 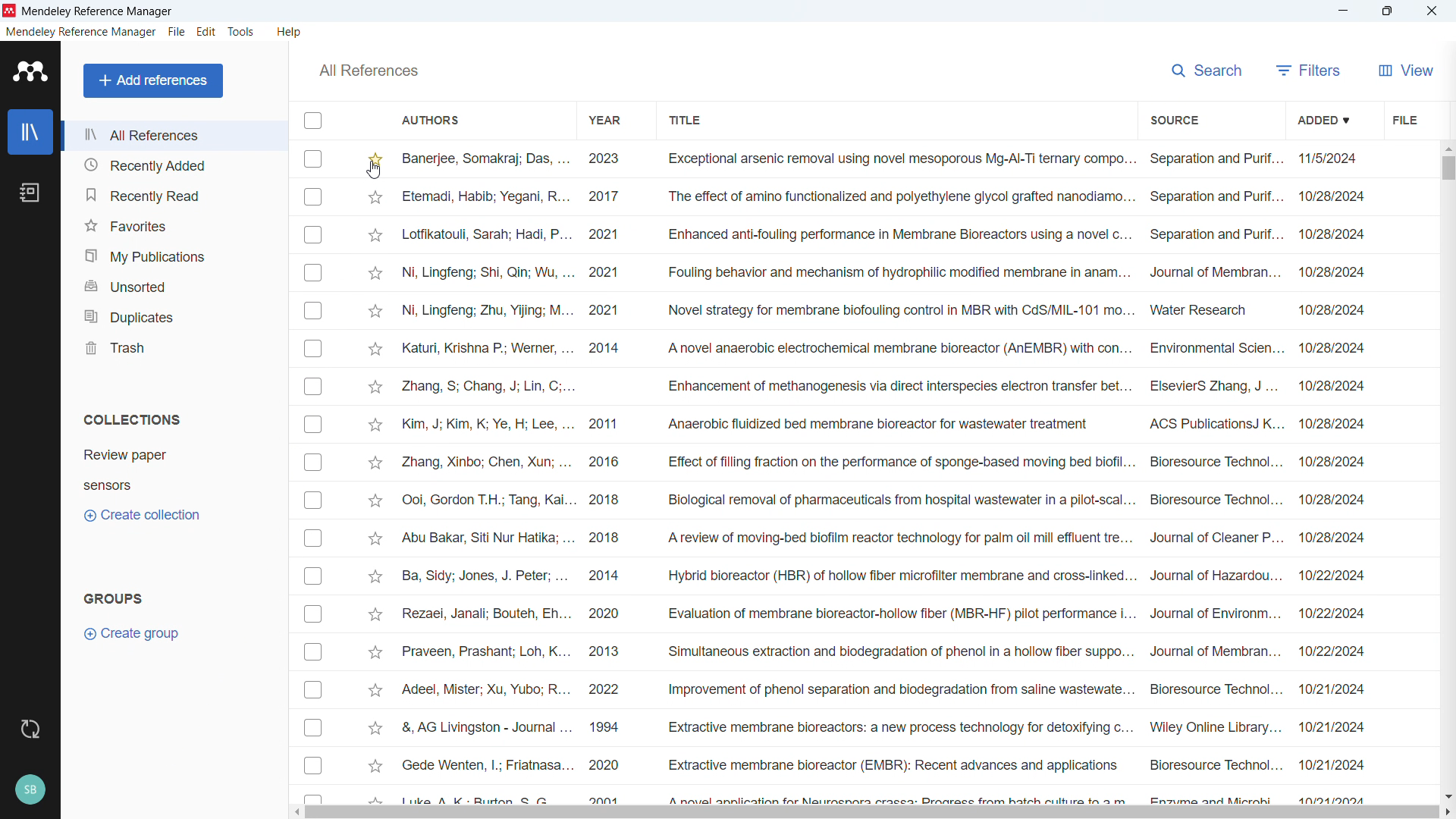 What do you see at coordinates (174, 193) in the screenshot?
I see `Recently read ` at bounding box center [174, 193].